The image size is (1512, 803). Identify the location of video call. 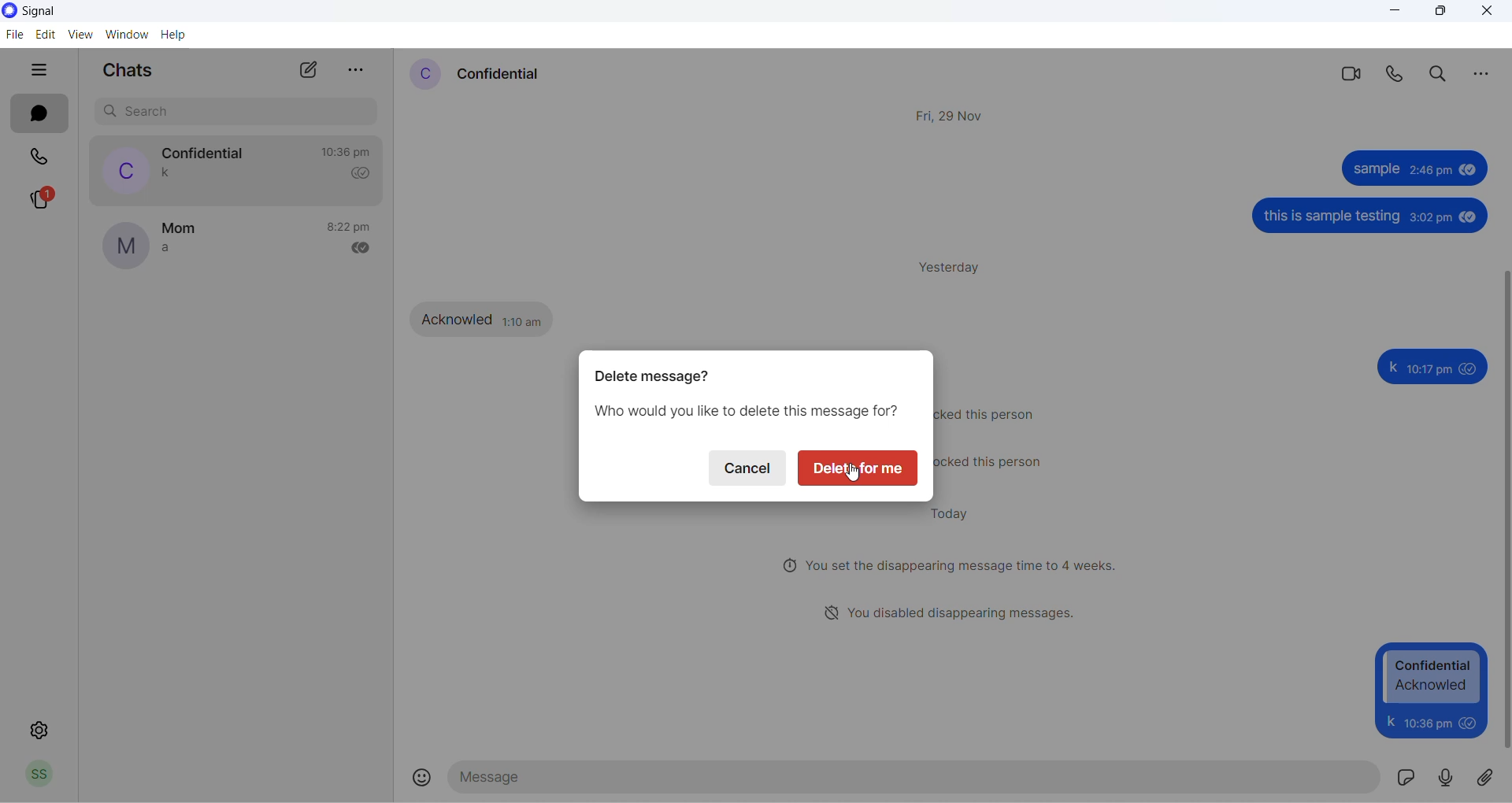
(1349, 73).